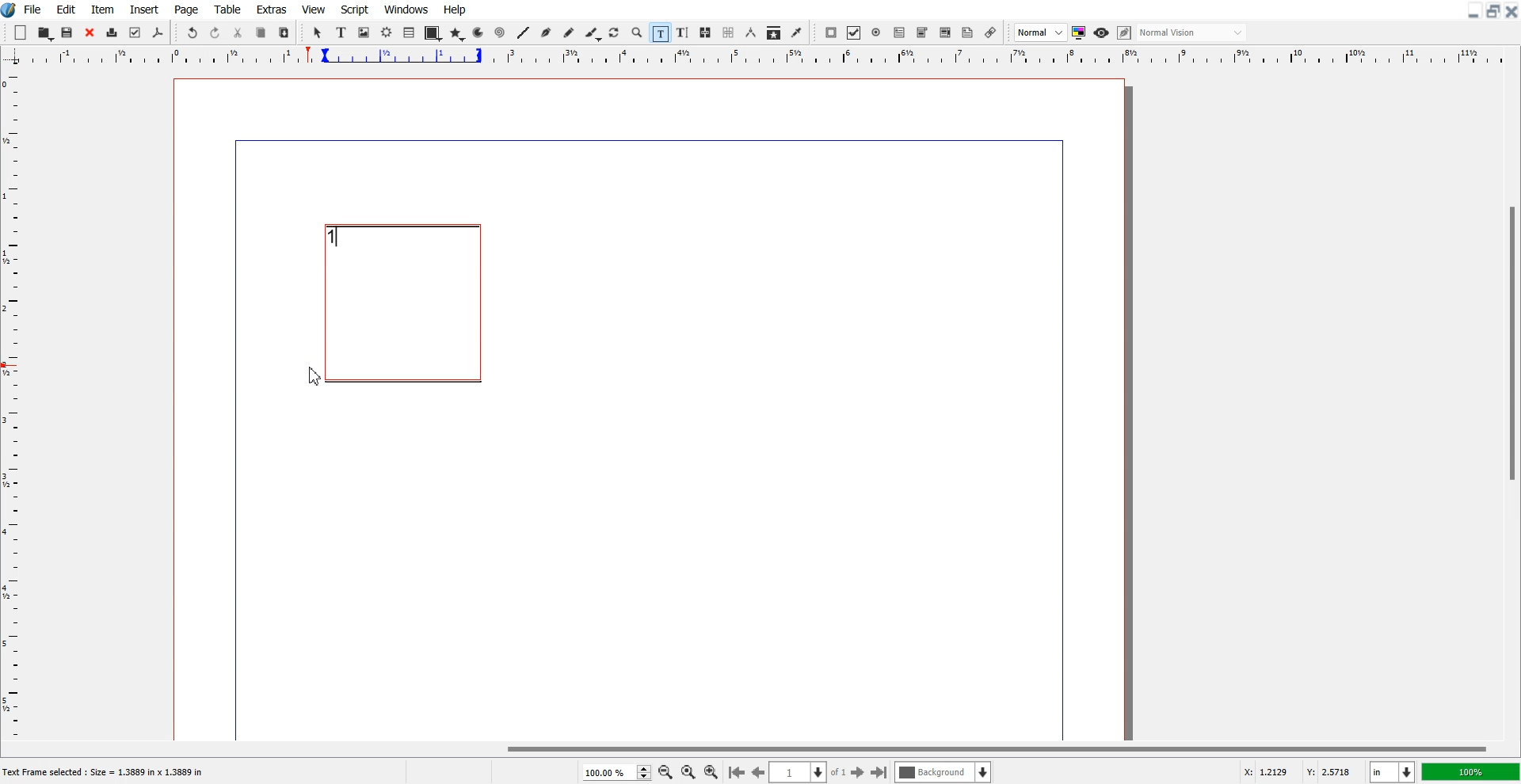  Describe the element at coordinates (752, 32) in the screenshot. I see `Measurements` at that location.